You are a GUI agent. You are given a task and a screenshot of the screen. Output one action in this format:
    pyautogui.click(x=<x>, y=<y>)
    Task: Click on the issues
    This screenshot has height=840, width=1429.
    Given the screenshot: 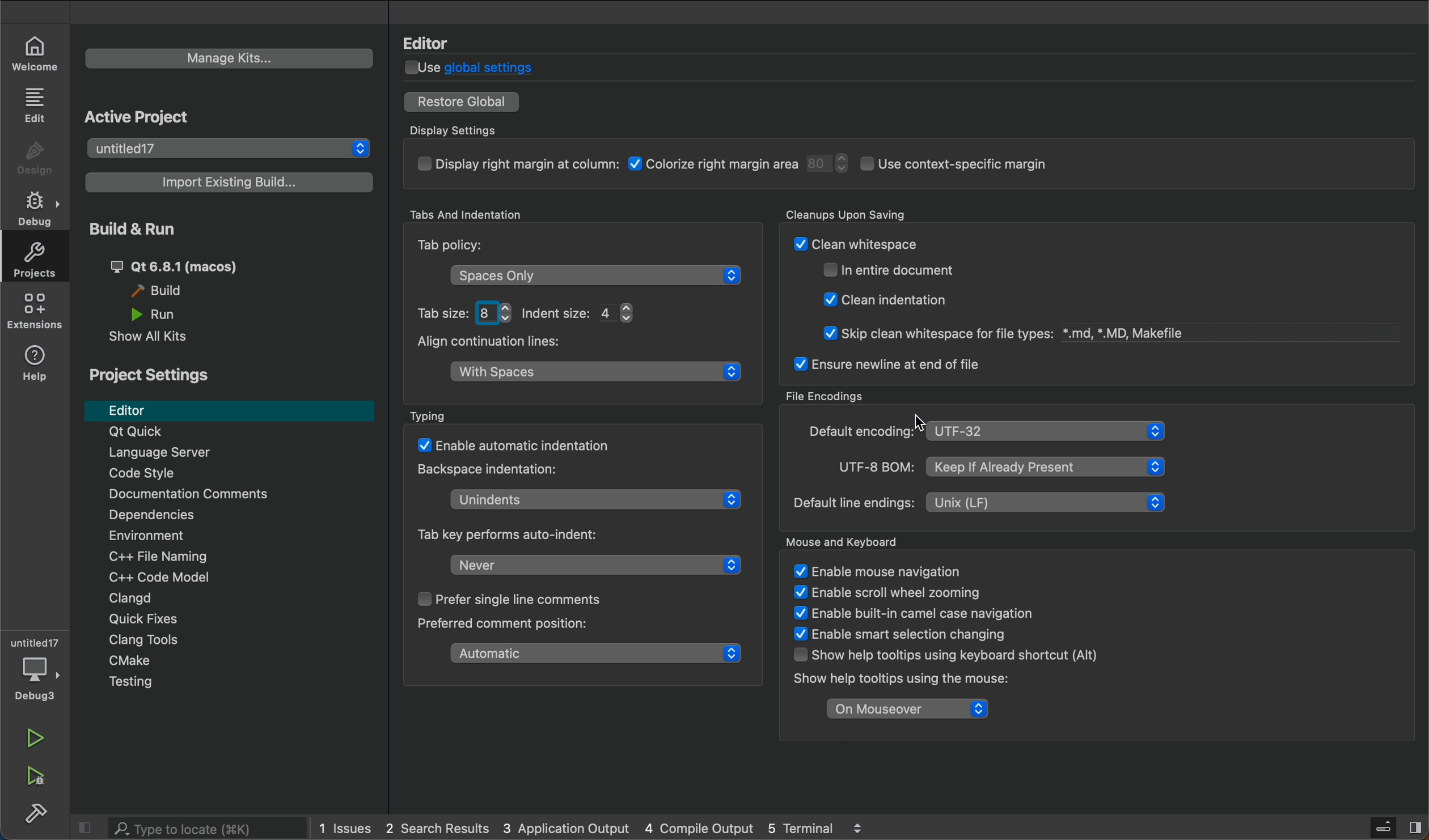 What is the action you would take?
    pyautogui.click(x=349, y=828)
    